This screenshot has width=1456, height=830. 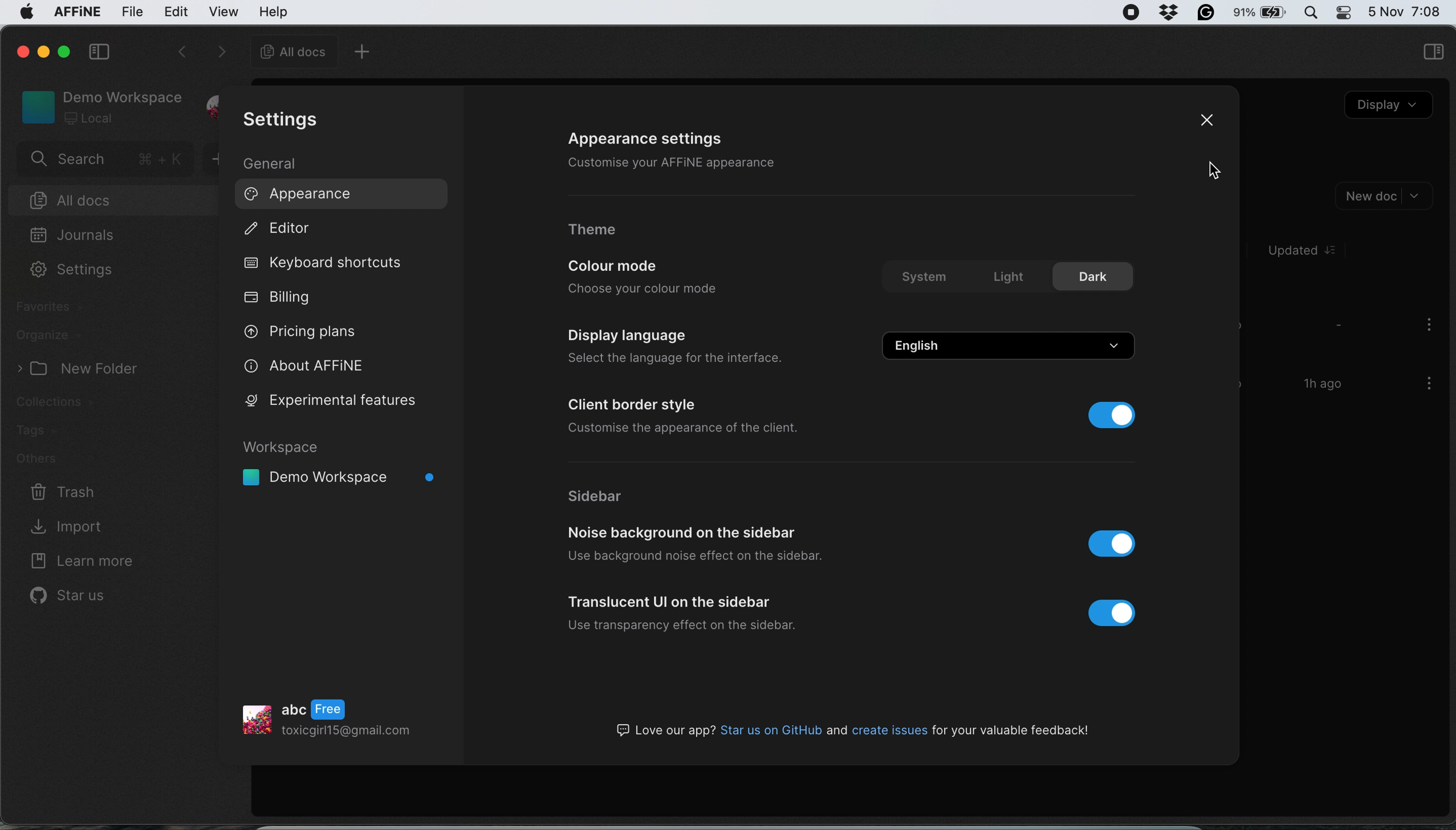 I want to click on toggle button, so click(x=1116, y=543).